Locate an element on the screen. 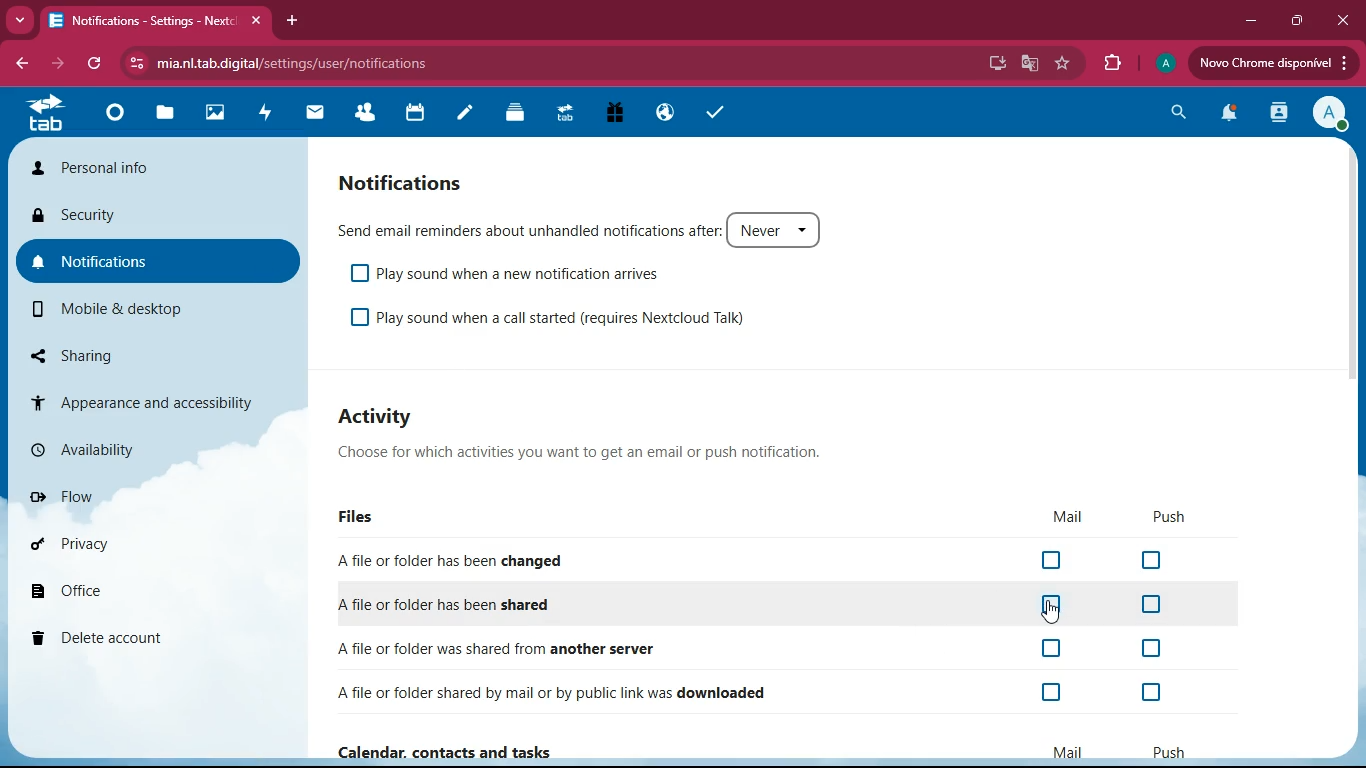 The height and width of the screenshot is (768, 1366). favourite is located at coordinates (1065, 64).